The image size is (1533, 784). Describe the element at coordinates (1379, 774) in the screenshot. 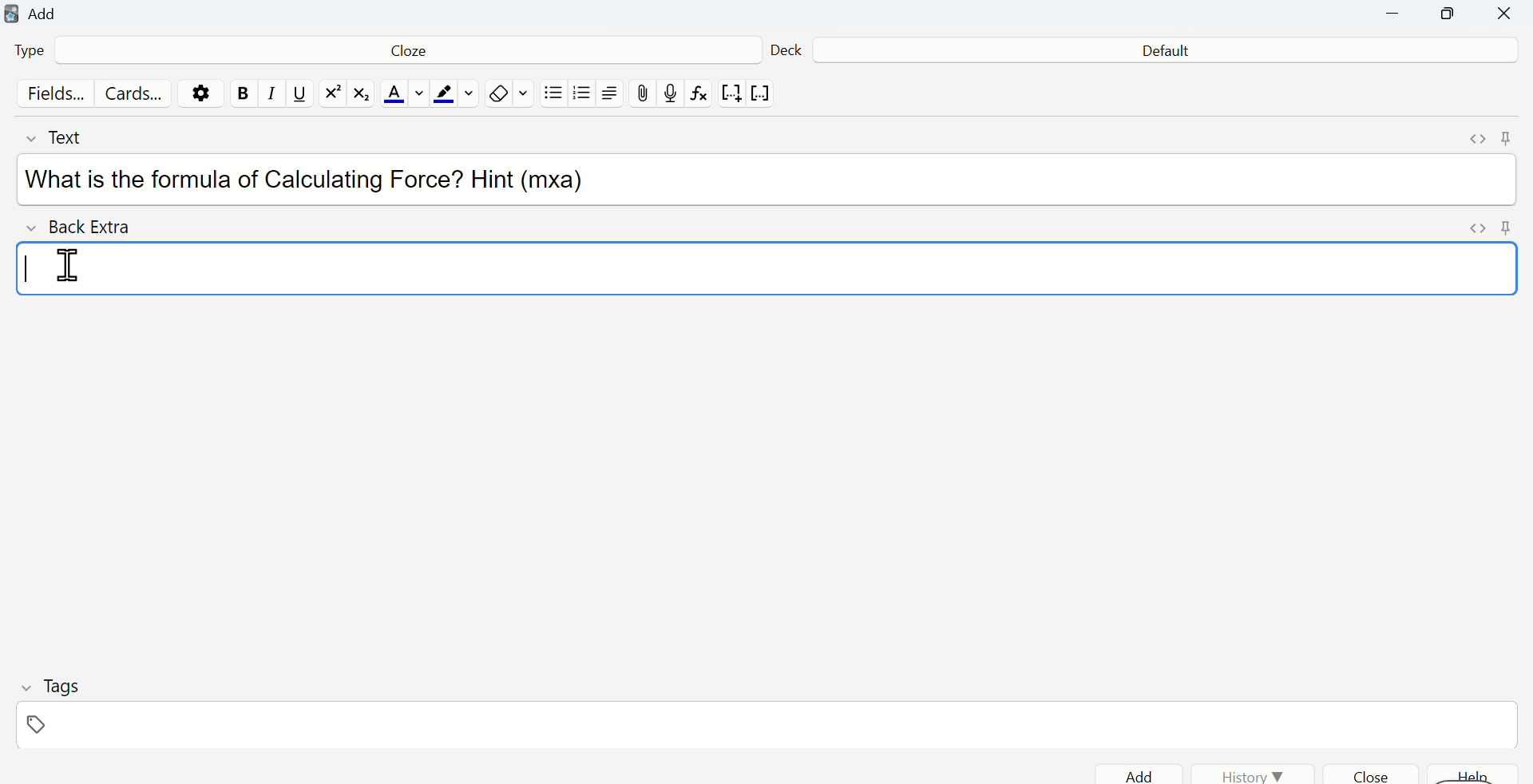

I see `Close` at that location.